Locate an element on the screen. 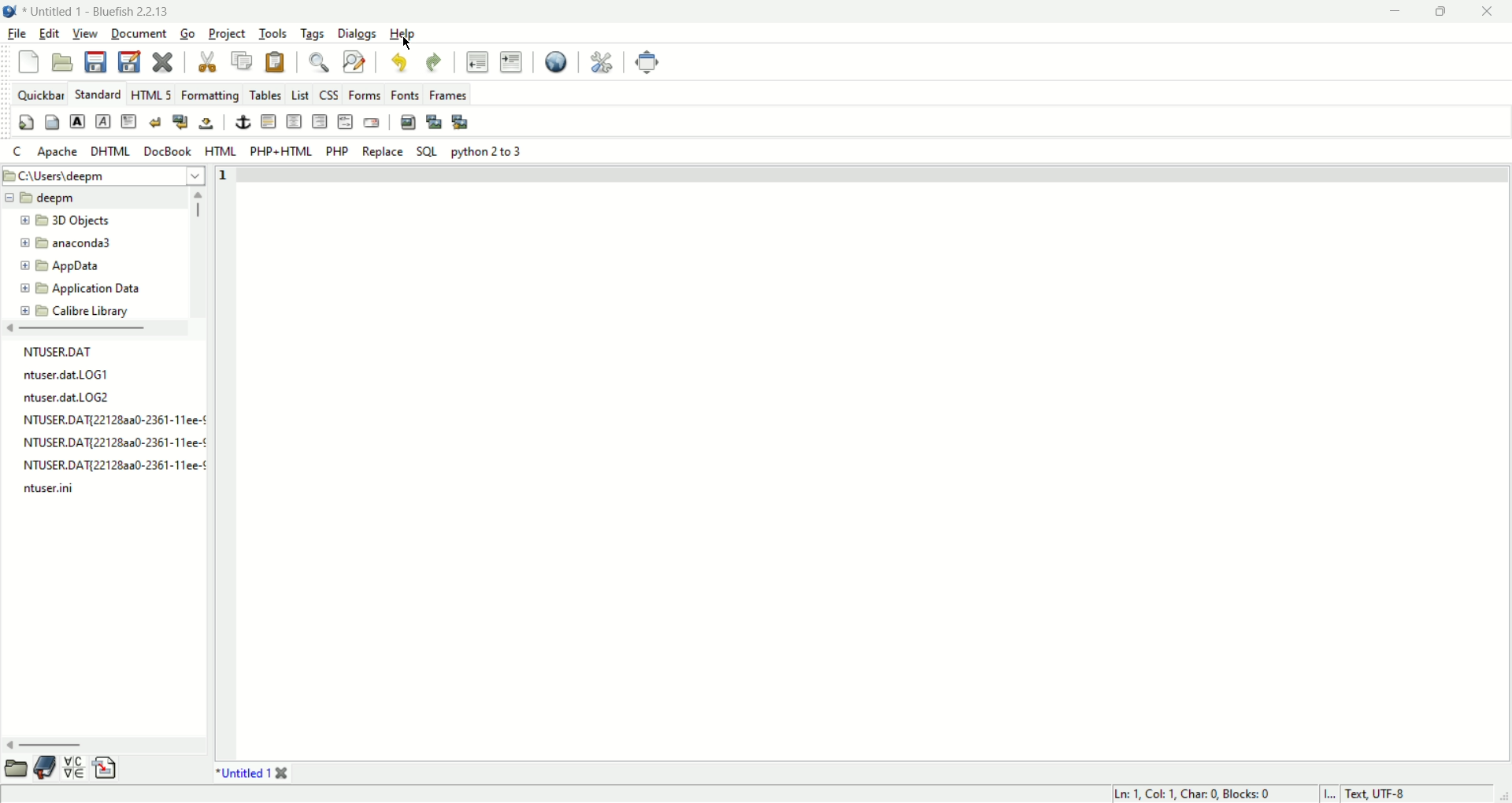 Image resolution: width=1512 pixels, height=803 pixels. file name is located at coordinates (50, 350).